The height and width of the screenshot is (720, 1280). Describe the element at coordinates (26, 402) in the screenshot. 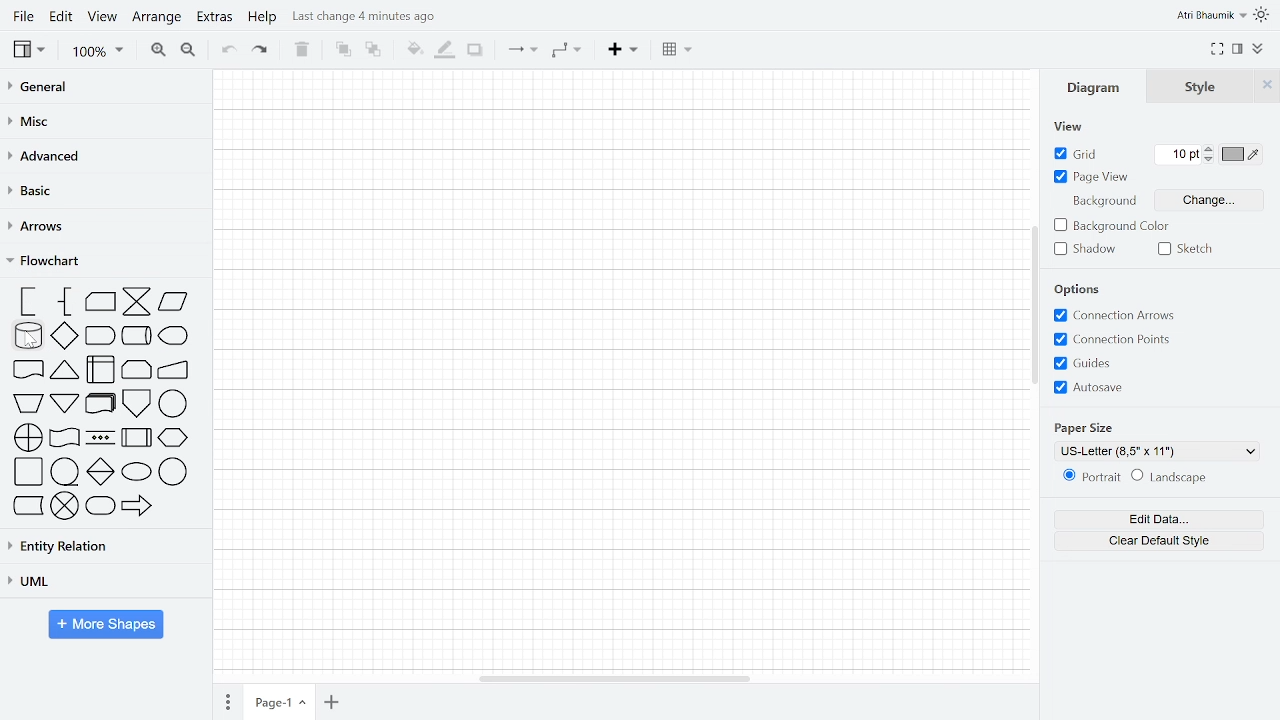

I see `manual operation` at that location.